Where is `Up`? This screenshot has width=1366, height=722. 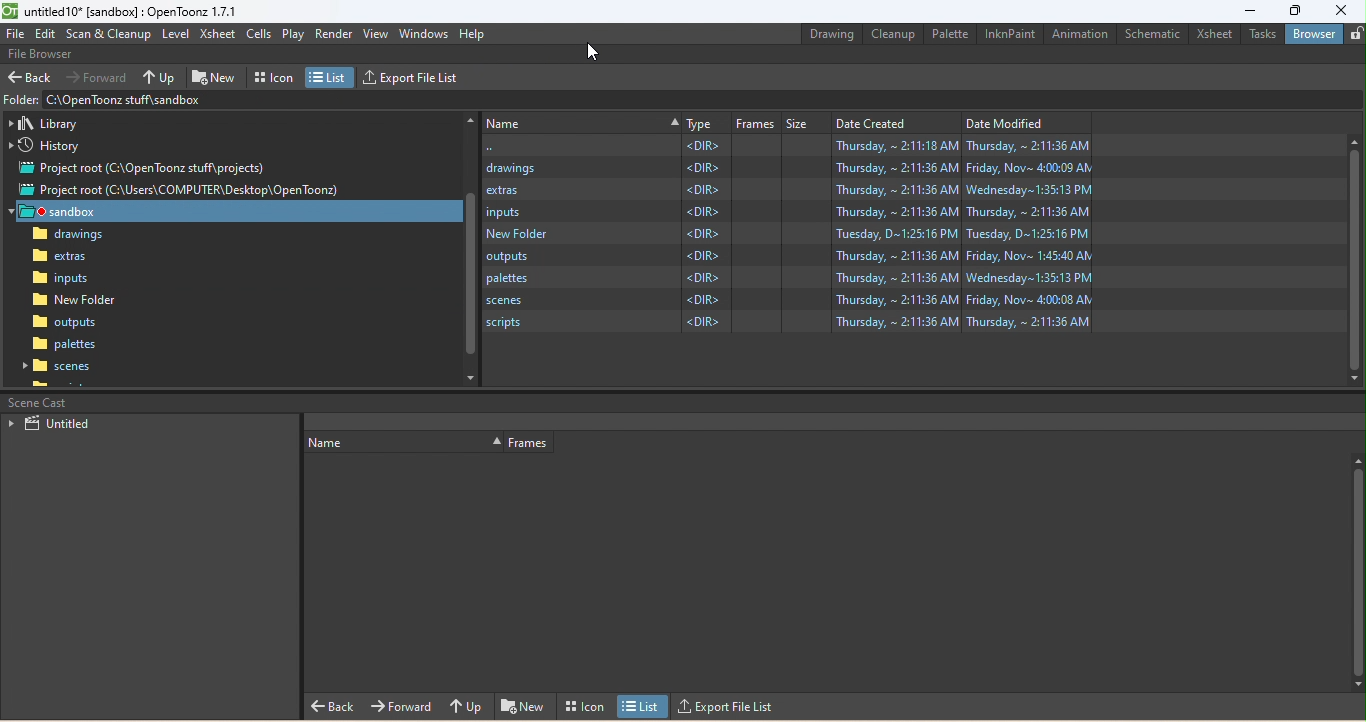
Up is located at coordinates (469, 703).